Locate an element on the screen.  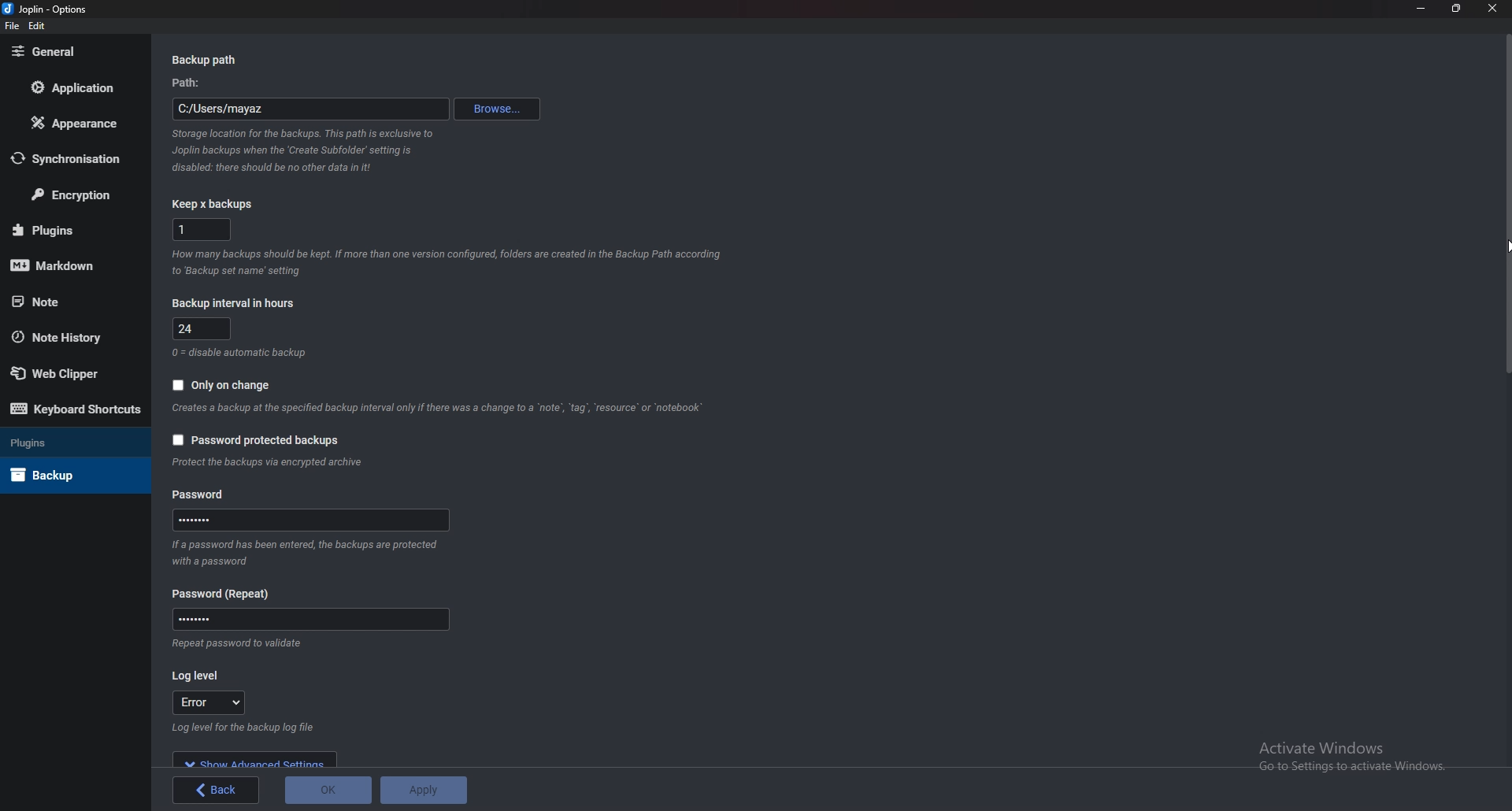
browse is located at coordinates (498, 110).